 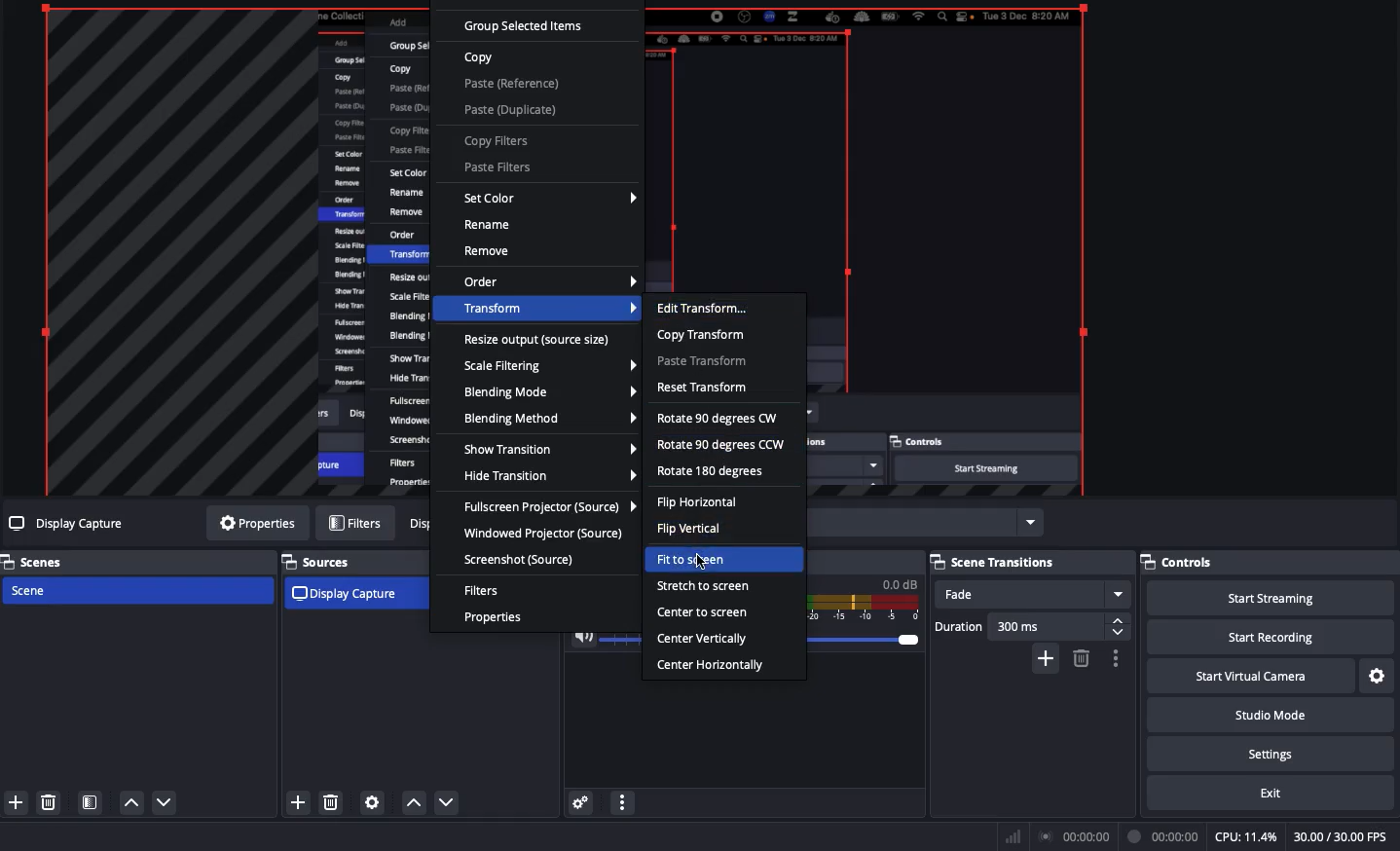 I want to click on Move up, so click(x=133, y=805).